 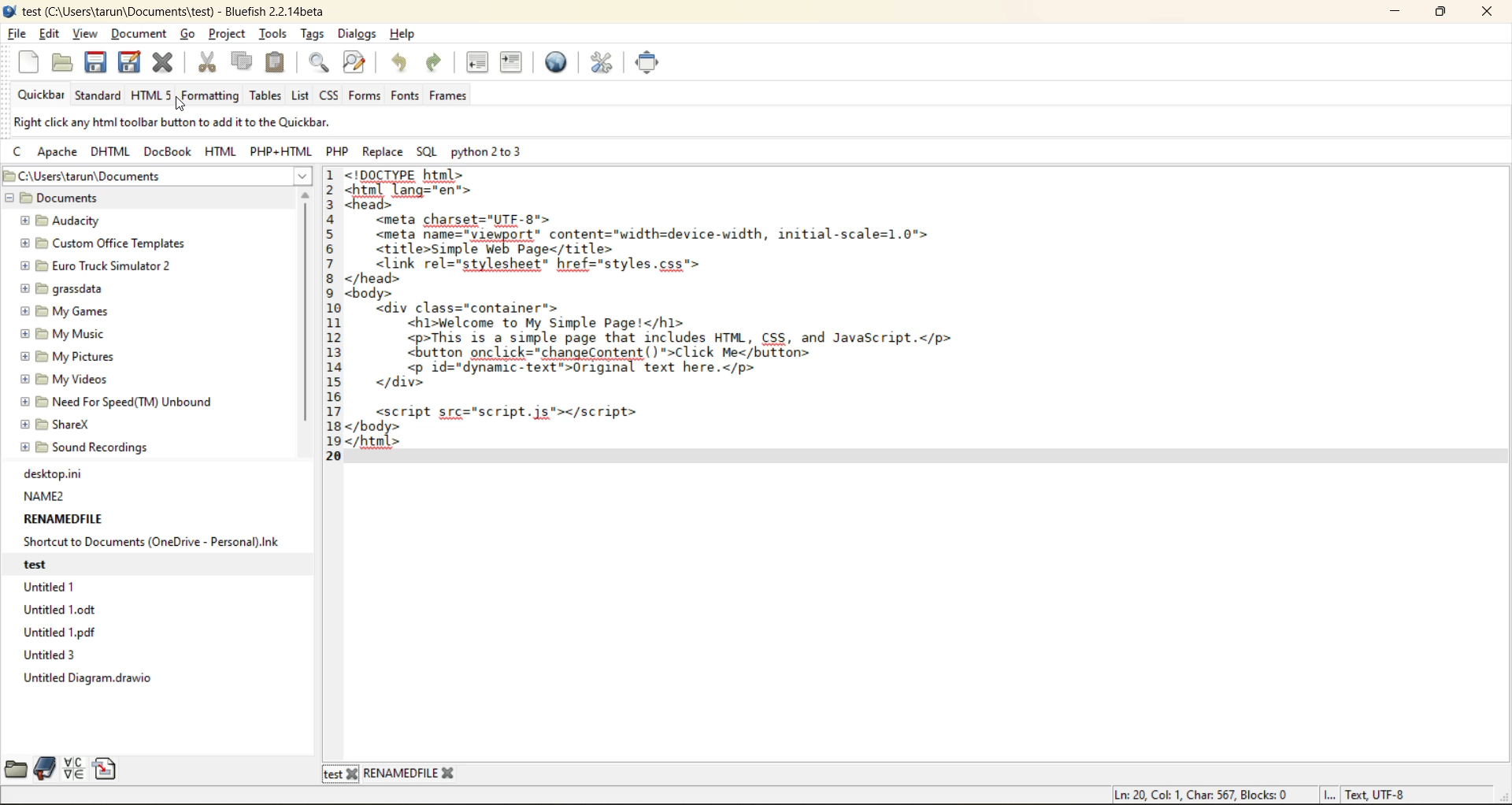 I want to click on sql, so click(x=426, y=148).